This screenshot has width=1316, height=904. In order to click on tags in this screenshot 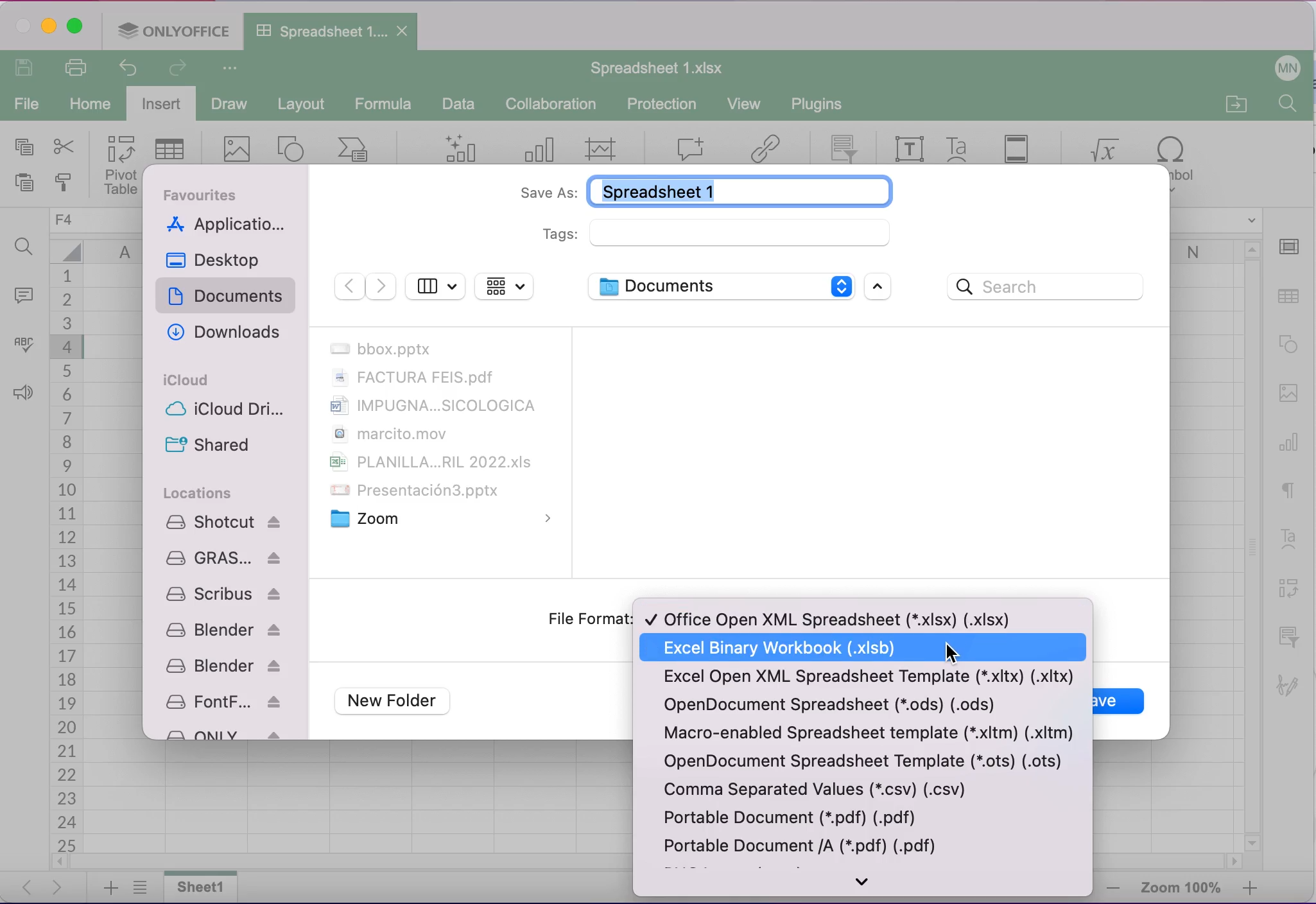, I will do `click(718, 233)`.